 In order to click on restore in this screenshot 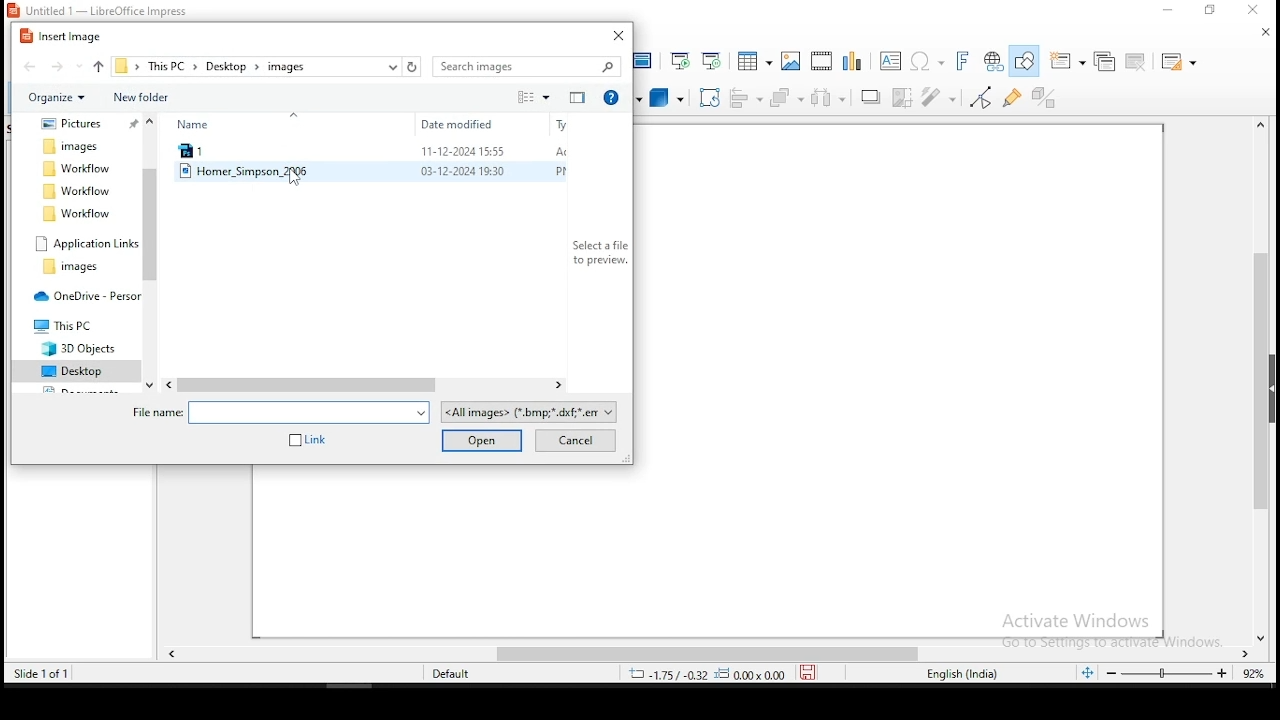, I will do `click(1212, 10)`.